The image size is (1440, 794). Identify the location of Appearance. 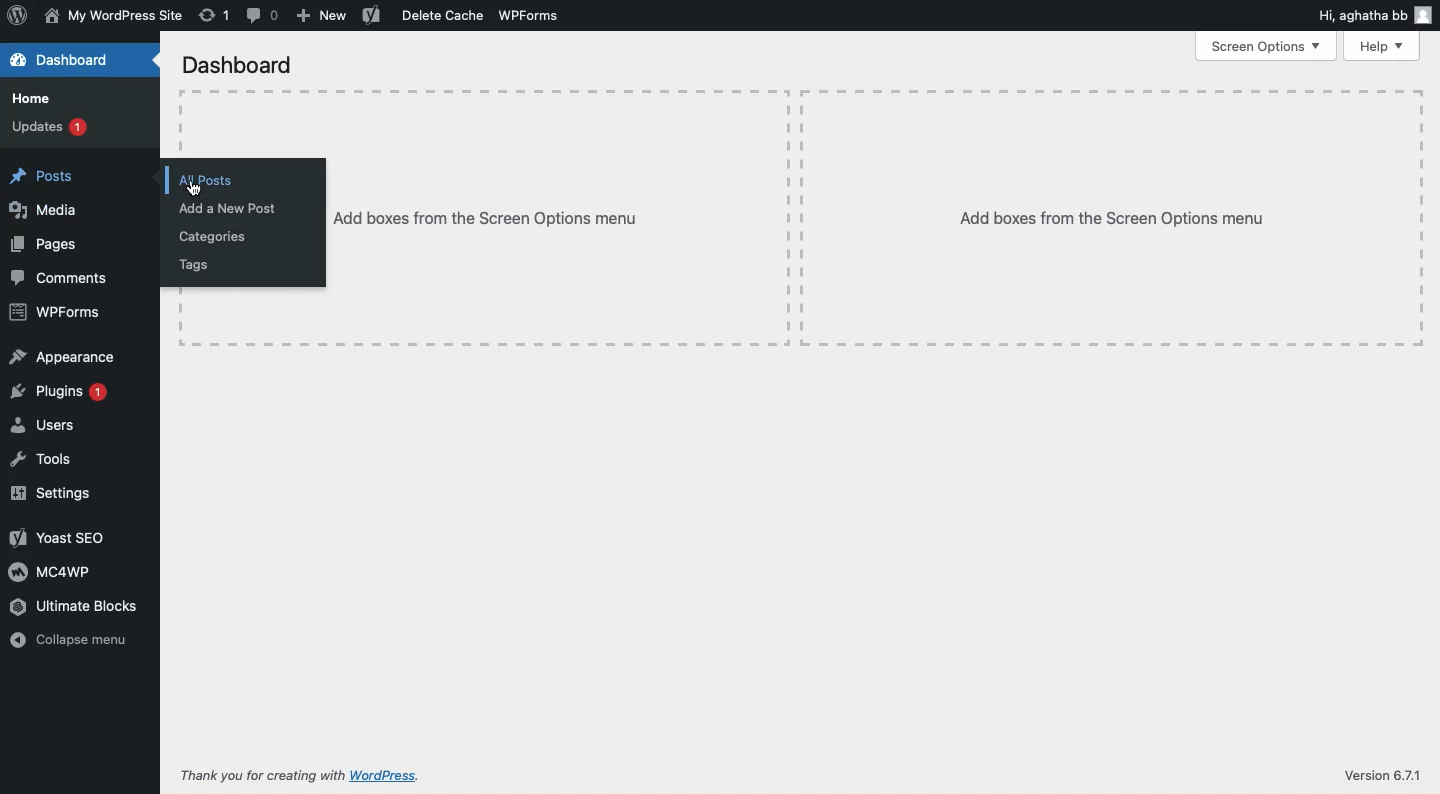
(64, 356).